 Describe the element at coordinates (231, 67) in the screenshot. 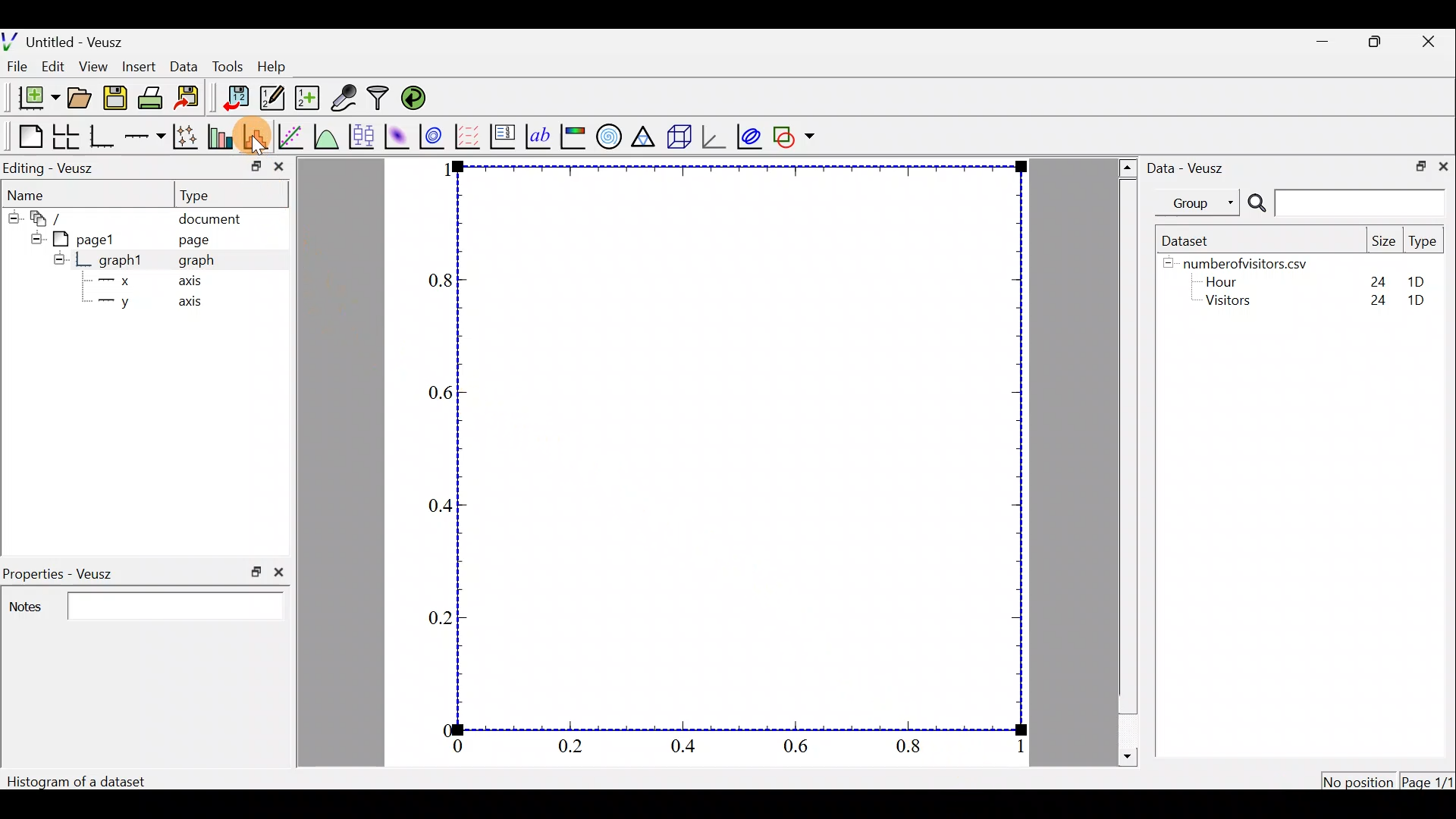

I see `Tools` at that location.